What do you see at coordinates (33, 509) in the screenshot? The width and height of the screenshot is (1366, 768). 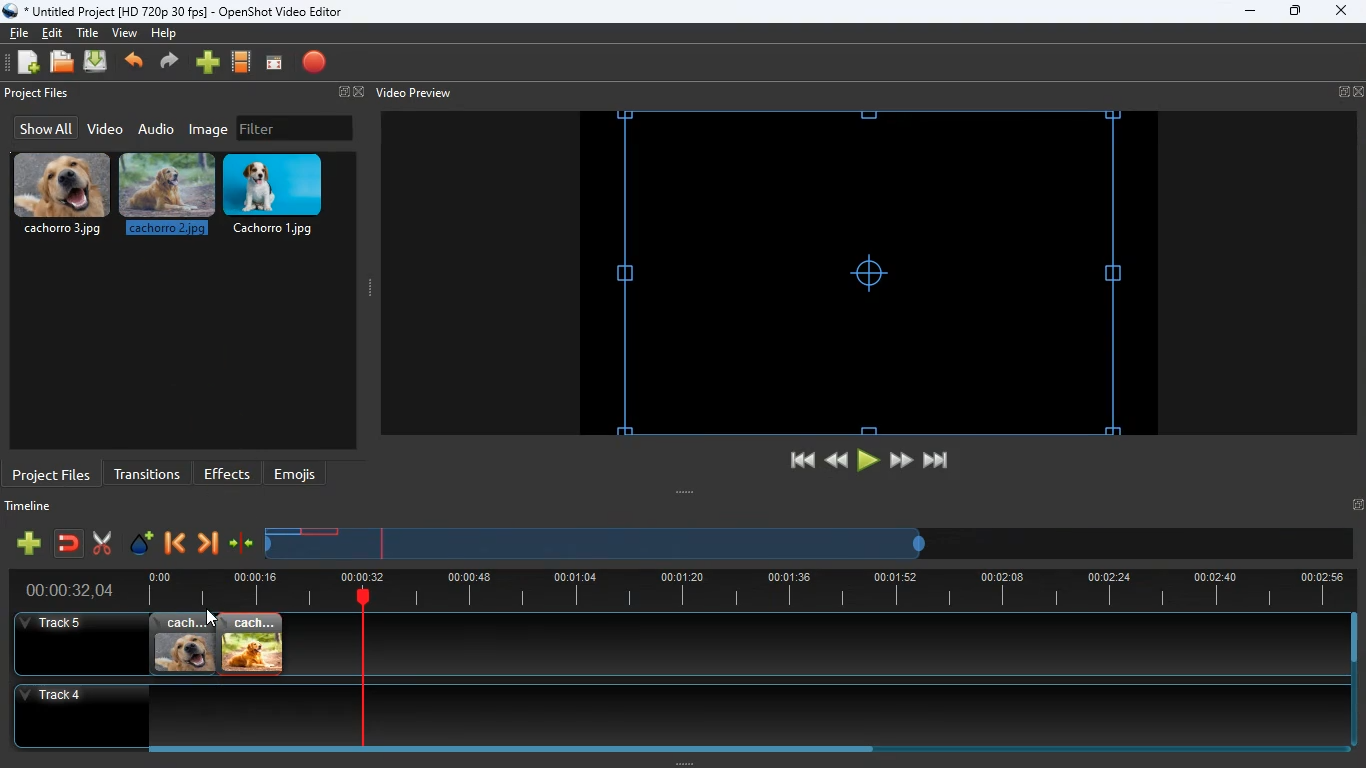 I see `timeline` at bounding box center [33, 509].